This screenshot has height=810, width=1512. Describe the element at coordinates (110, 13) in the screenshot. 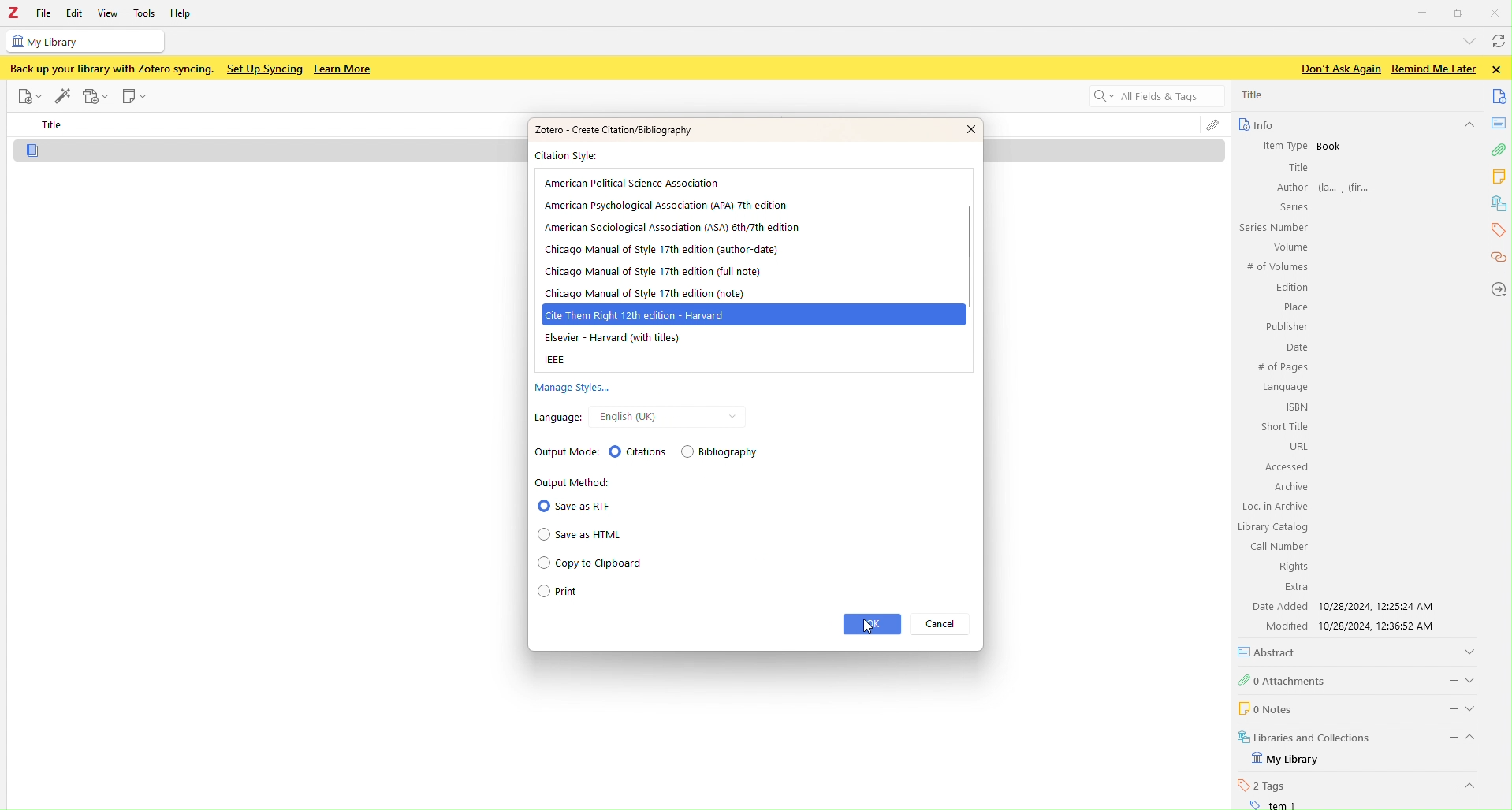

I see `View` at that location.